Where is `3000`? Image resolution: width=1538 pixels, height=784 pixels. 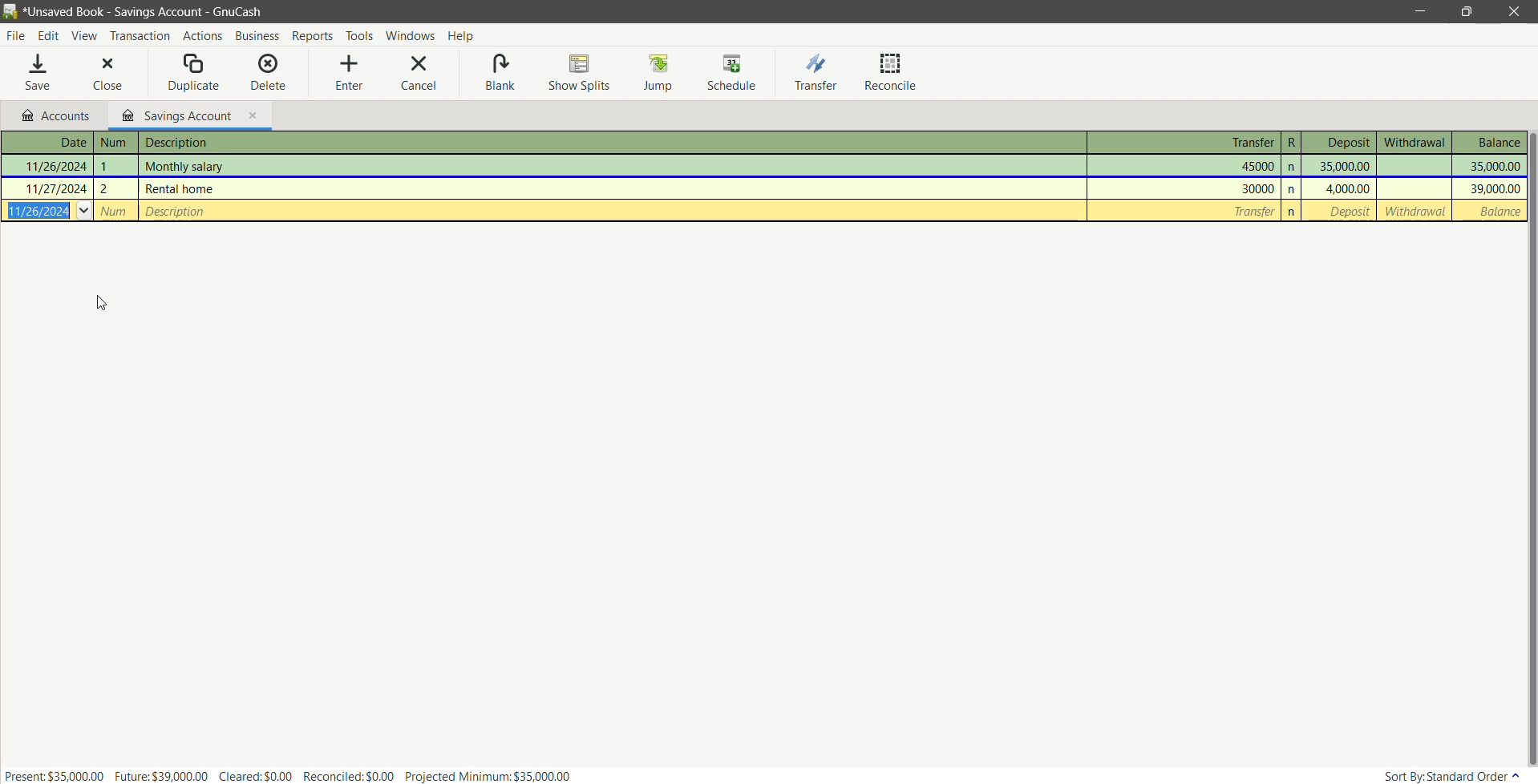 3000 is located at coordinates (1186, 188).